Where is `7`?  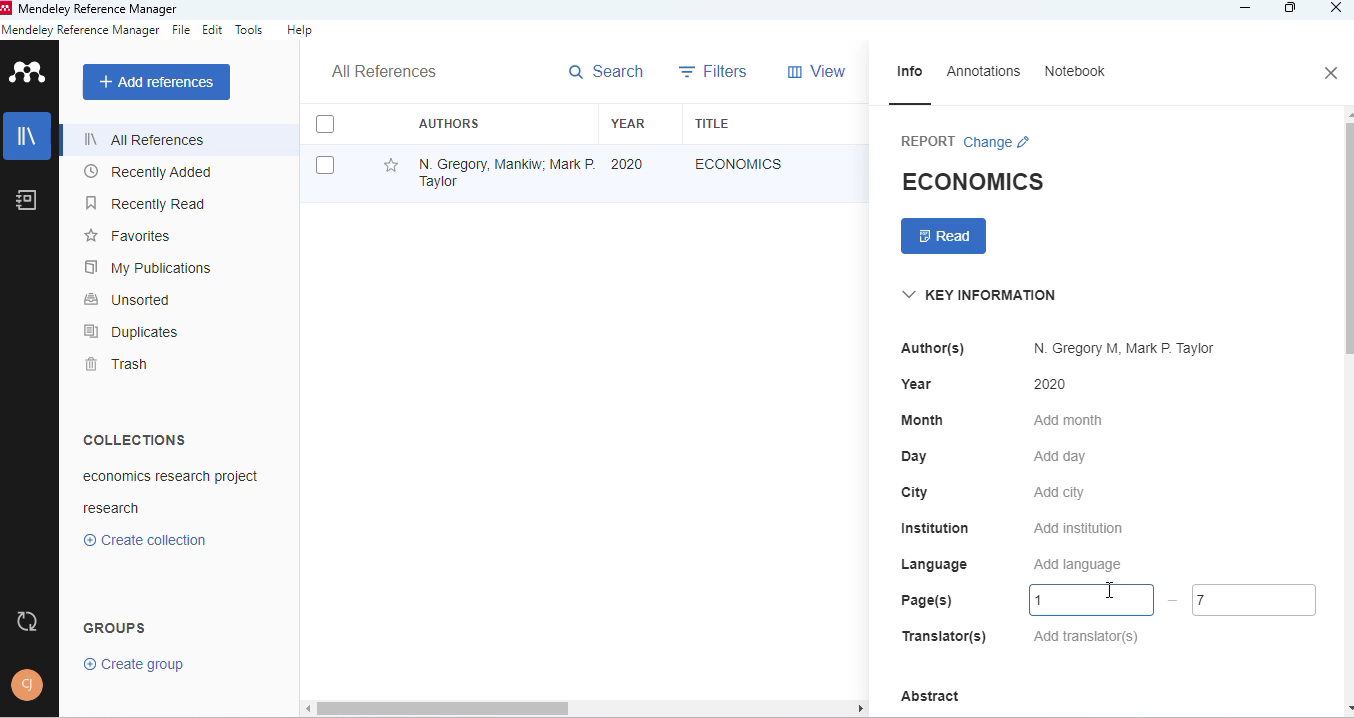 7 is located at coordinates (1255, 600).